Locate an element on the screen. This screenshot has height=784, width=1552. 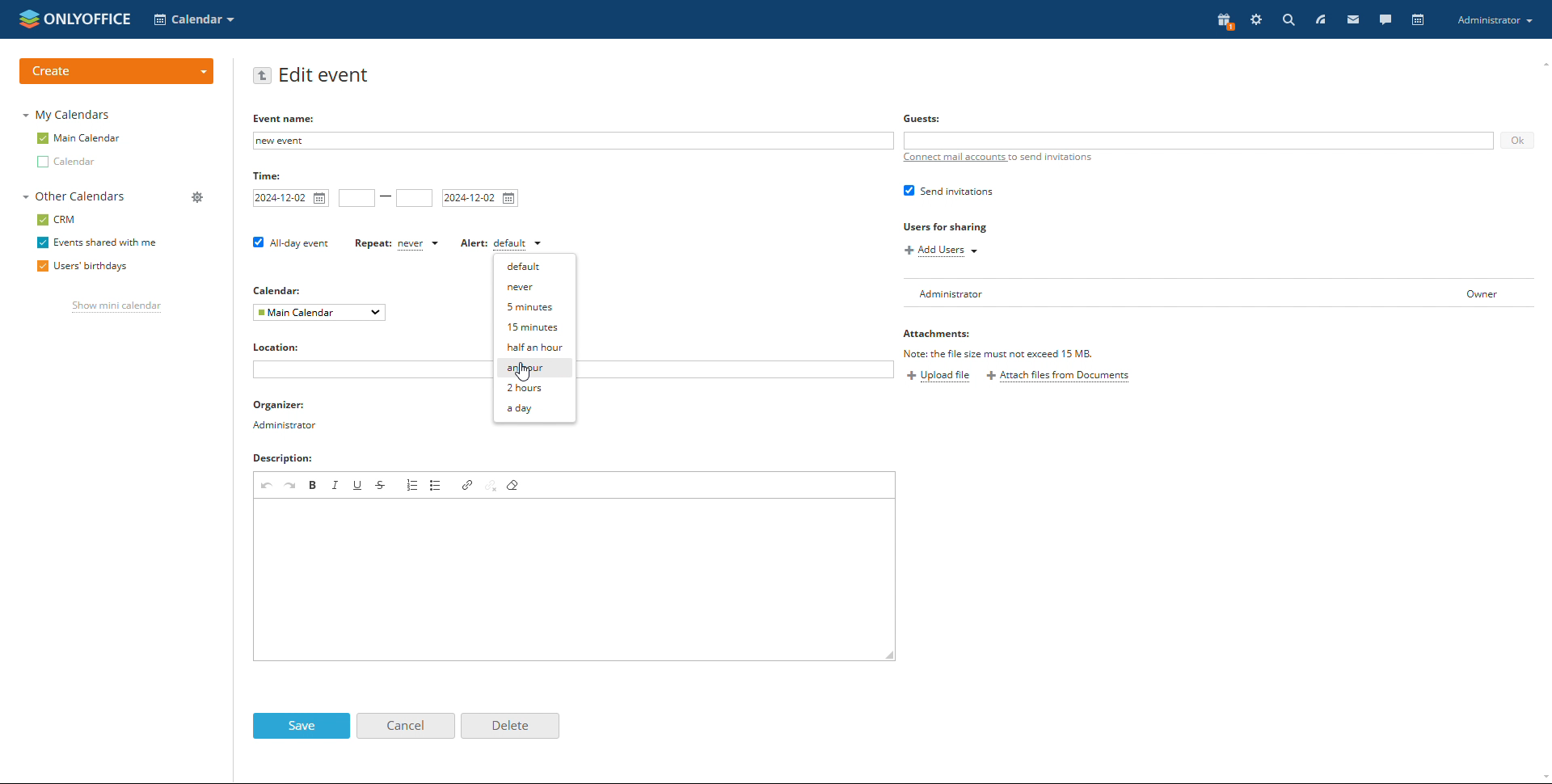
italic is located at coordinates (335, 485).